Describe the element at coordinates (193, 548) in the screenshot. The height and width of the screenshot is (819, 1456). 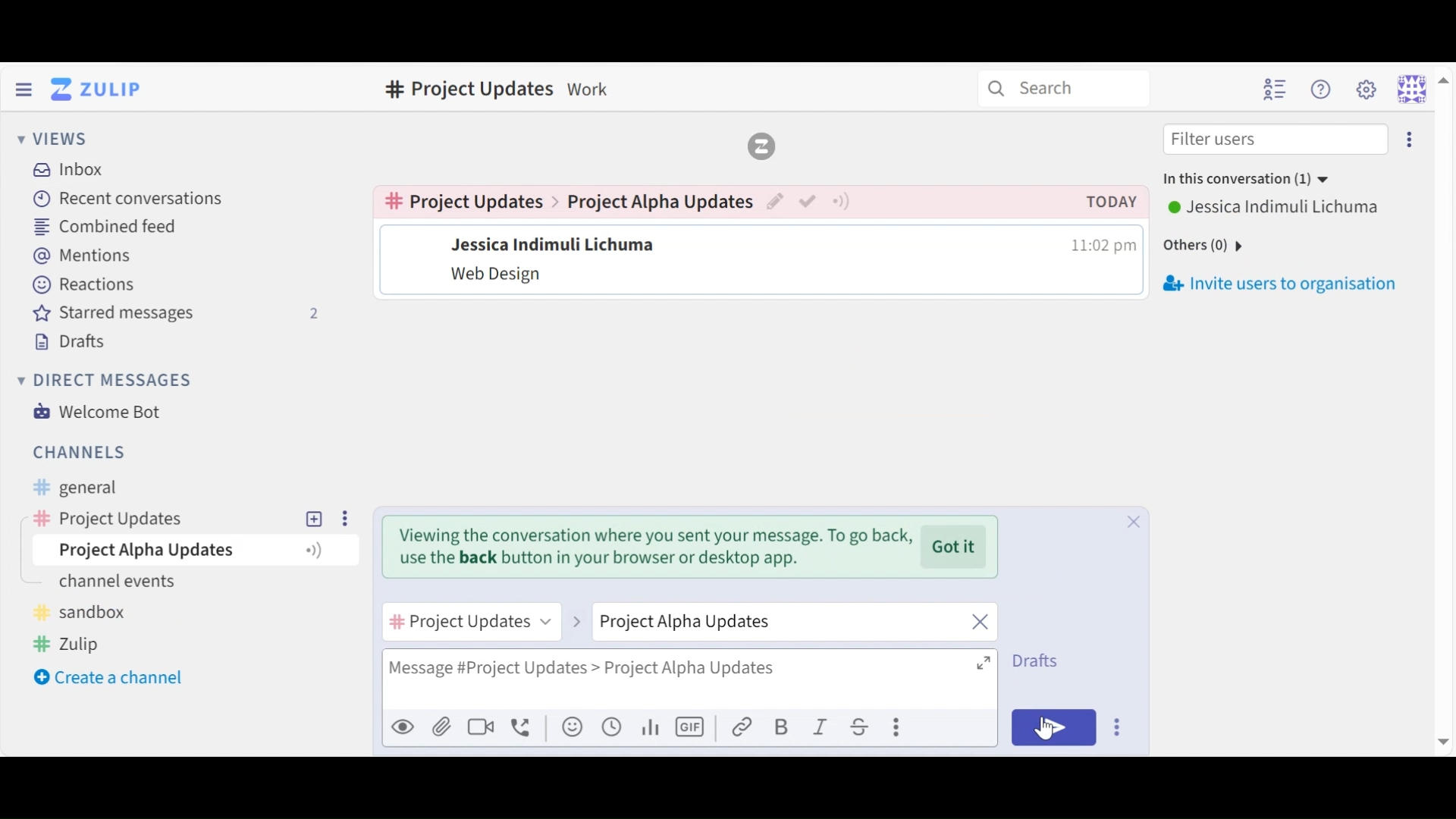
I see `Topic Name` at that location.